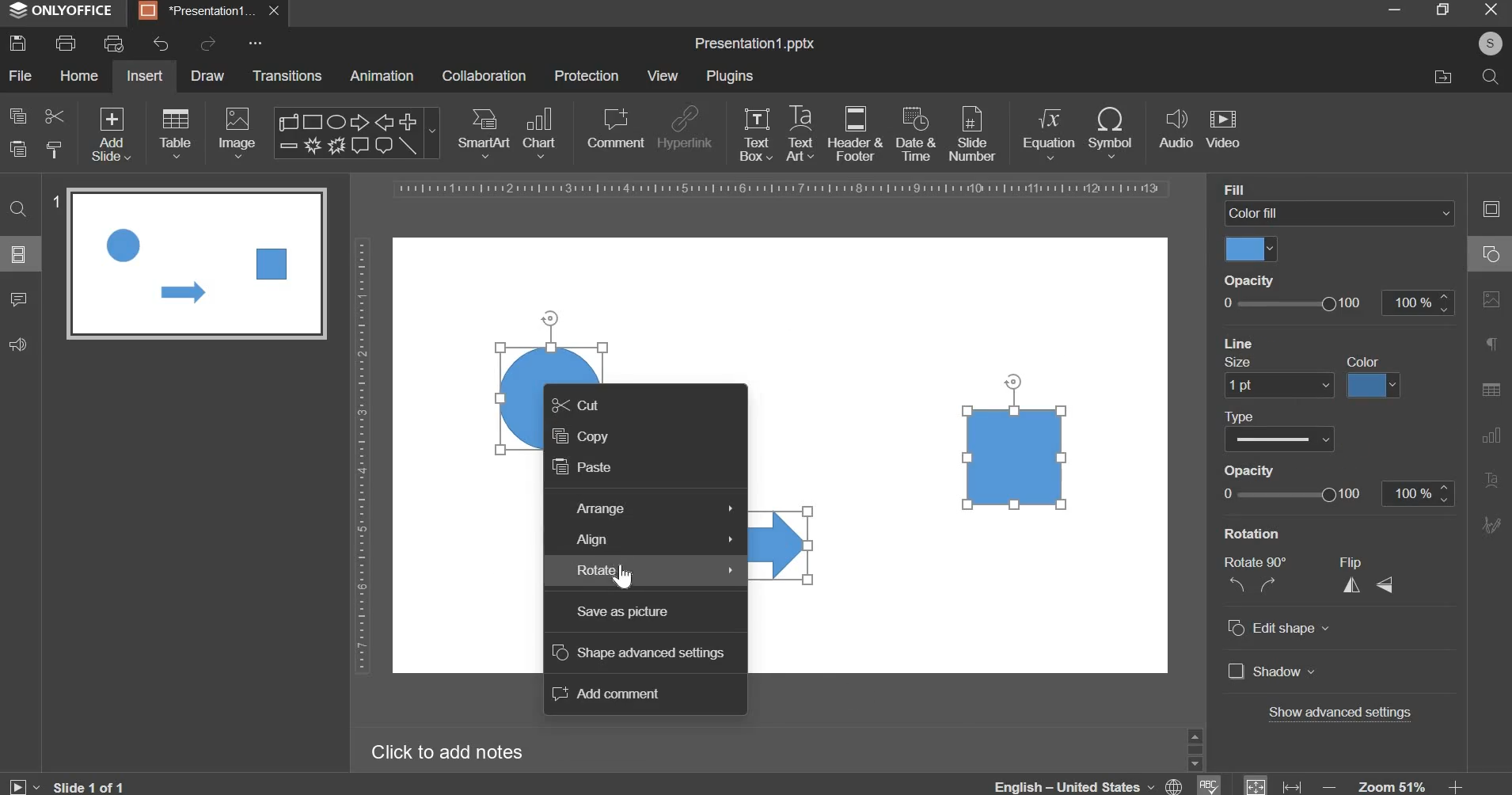 This screenshot has width=1512, height=795. Describe the element at coordinates (1091, 782) in the screenshot. I see `language` at that location.